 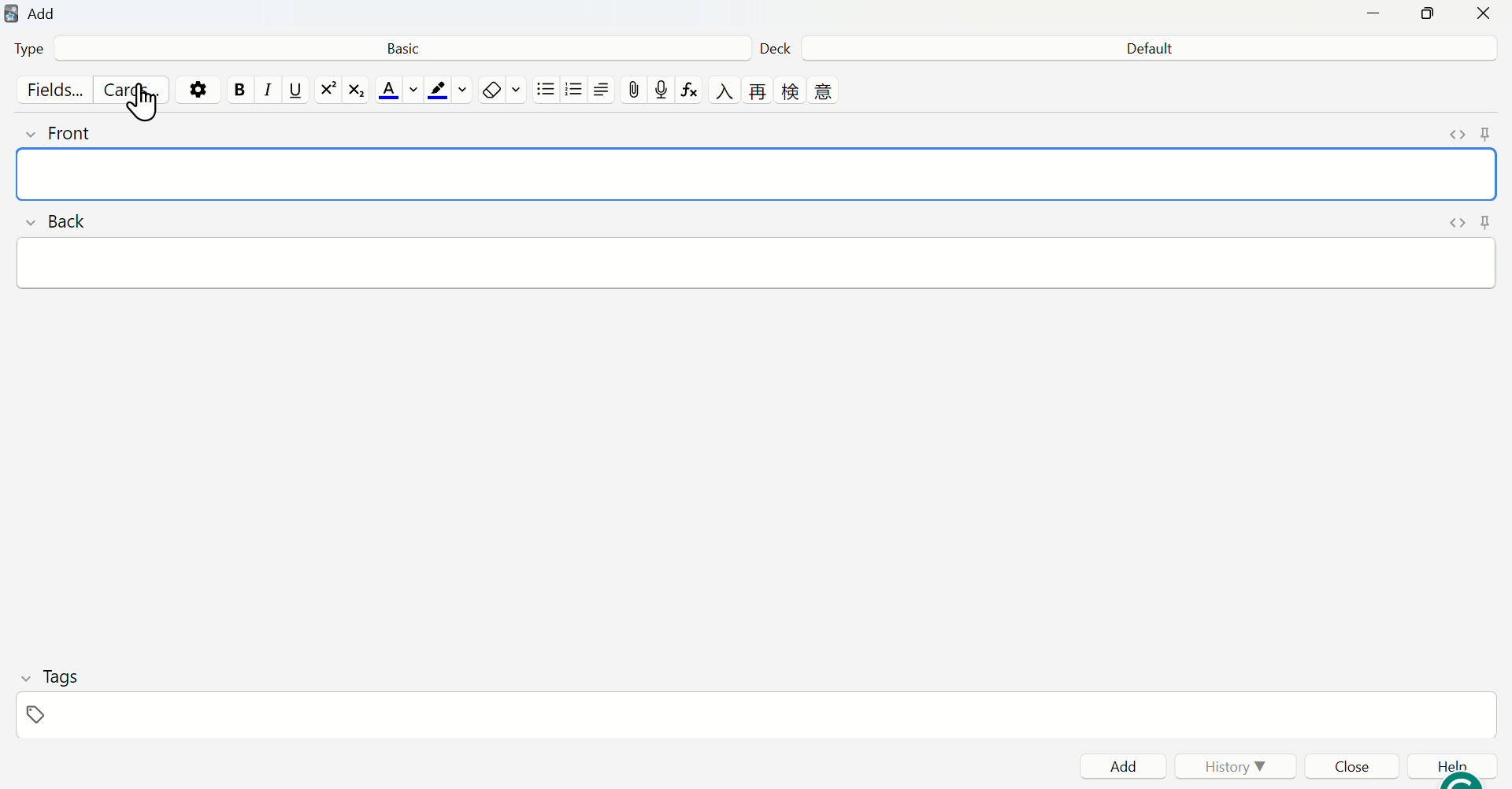 What do you see at coordinates (12, 13) in the screenshot?
I see `Anki Desktop icon` at bounding box center [12, 13].